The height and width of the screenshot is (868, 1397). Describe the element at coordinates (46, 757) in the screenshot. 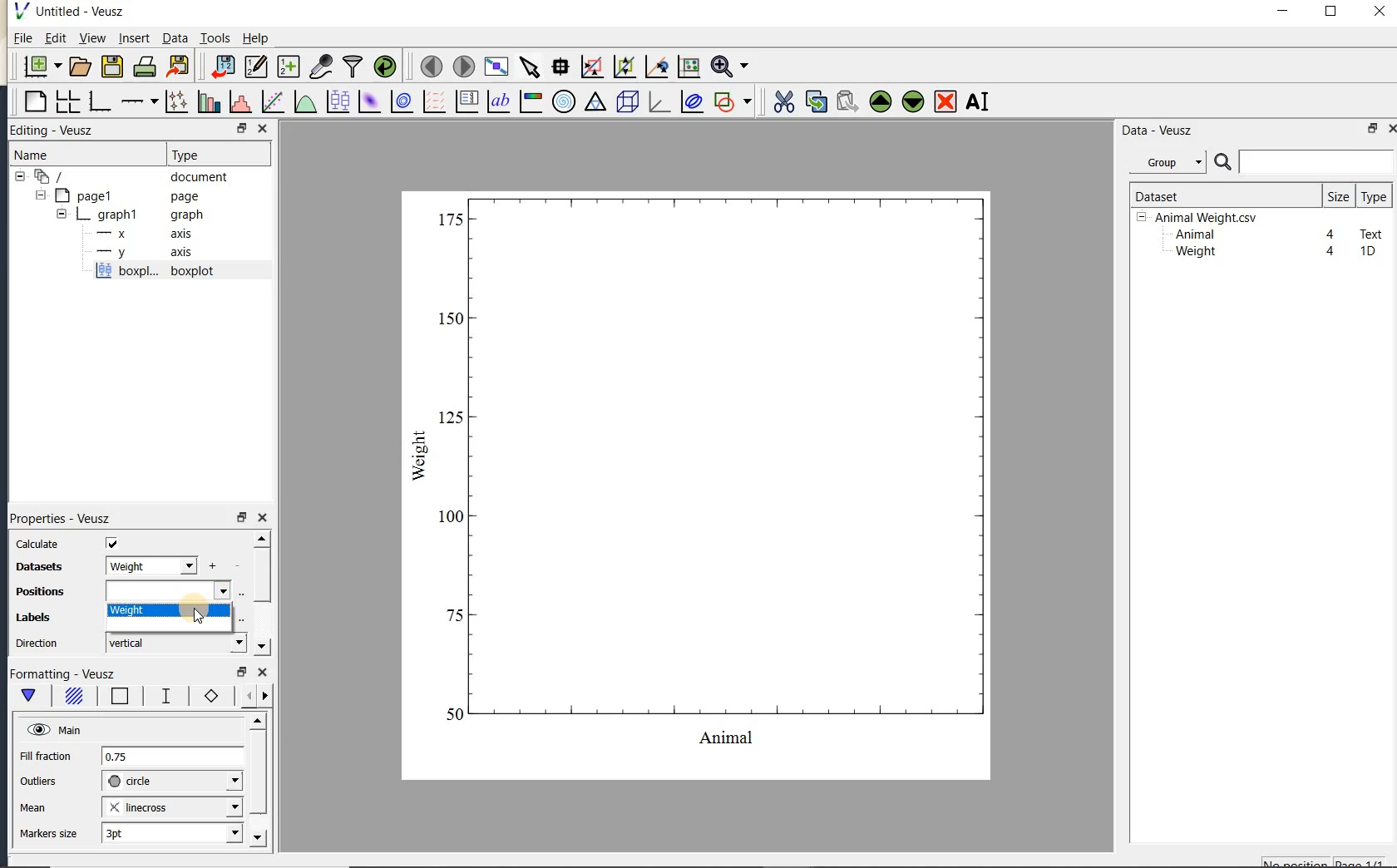

I see `Fill fraction` at that location.